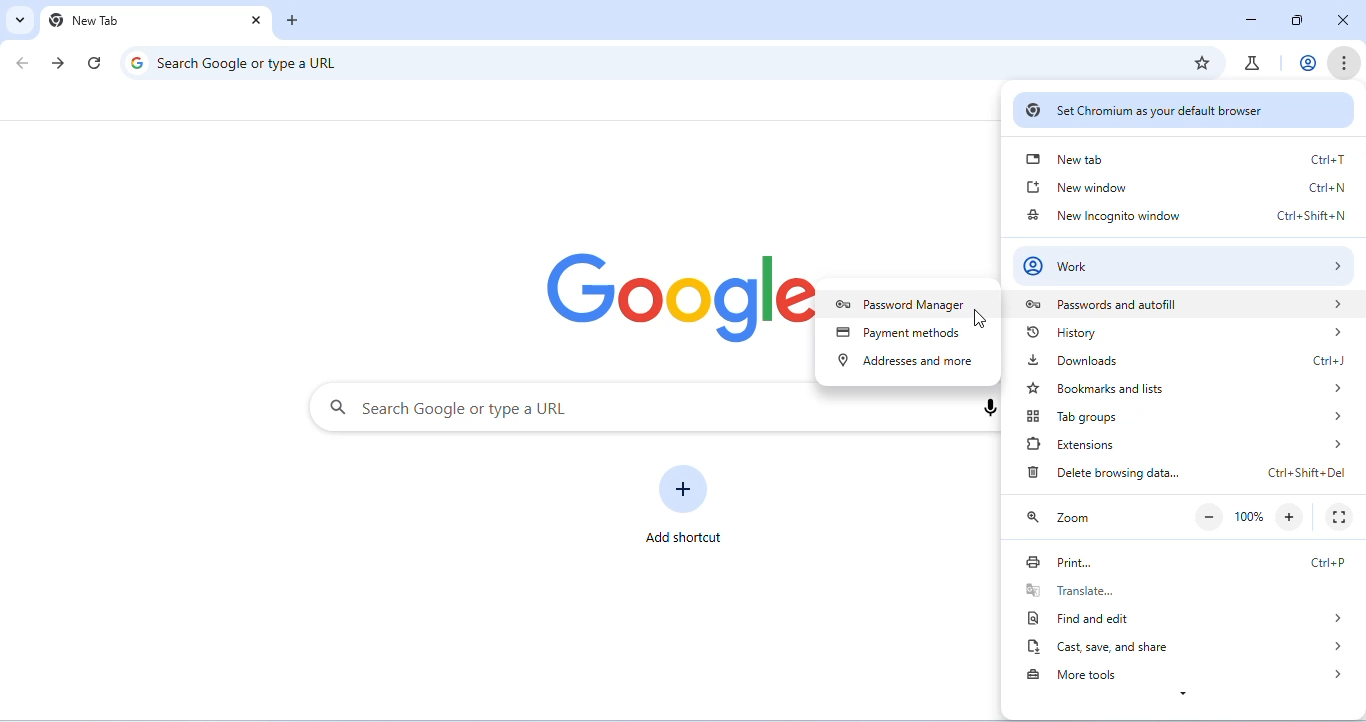  What do you see at coordinates (1185, 474) in the screenshot?
I see `delete browsing data Ctrl+Shift+Del` at bounding box center [1185, 474].